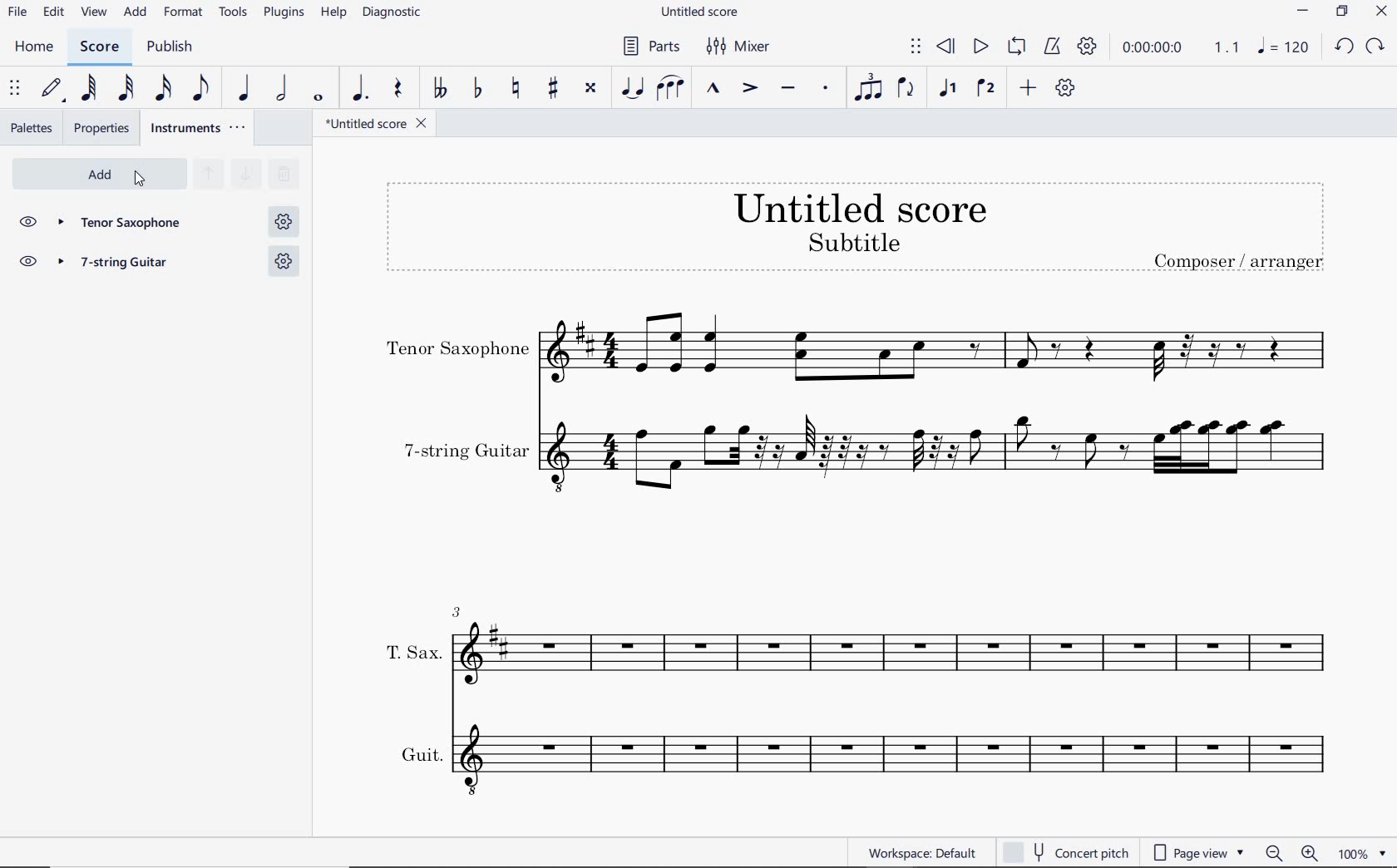 The width and height of the screenshot is (1397, 868). Describe the element at coordinates (96, 13) in the screenshot. I see `VIEW` at that location.